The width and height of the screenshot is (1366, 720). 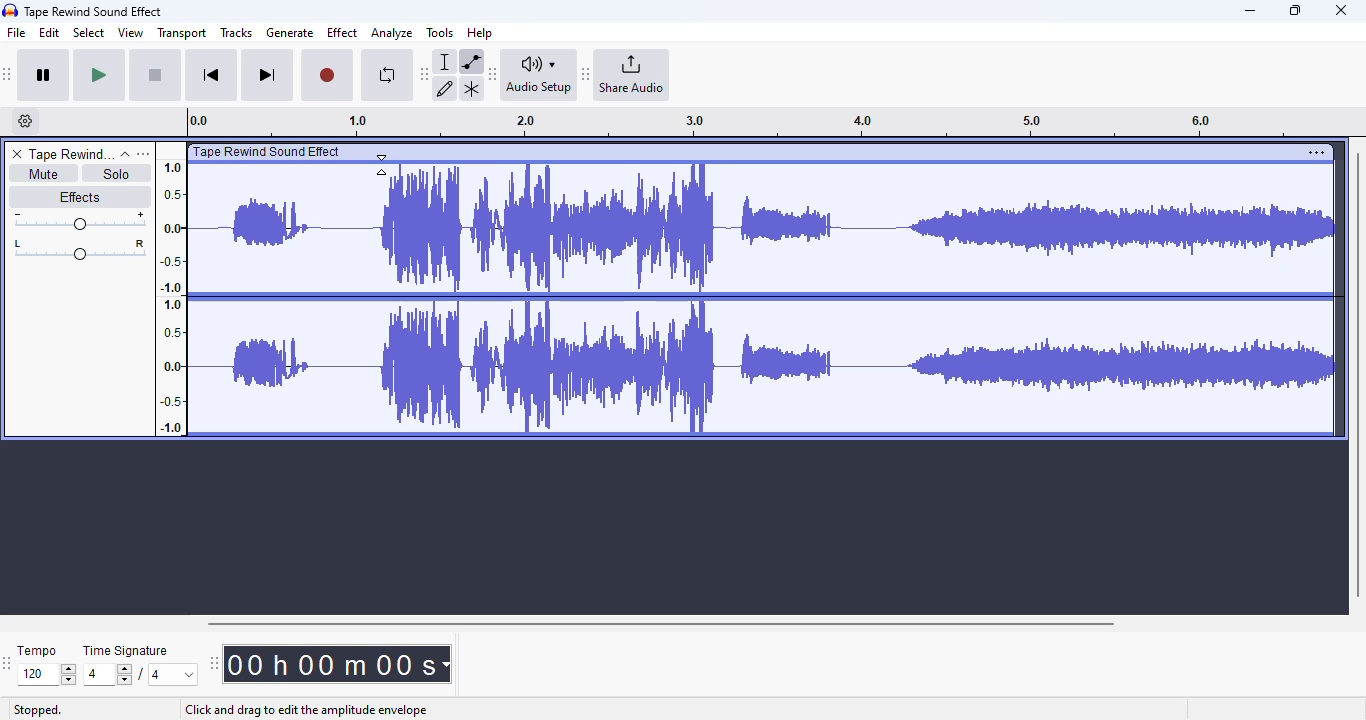 What do you see at coordinates (71, 155) in the screenshot?
I see `track name` at bounding box center [71, 155].